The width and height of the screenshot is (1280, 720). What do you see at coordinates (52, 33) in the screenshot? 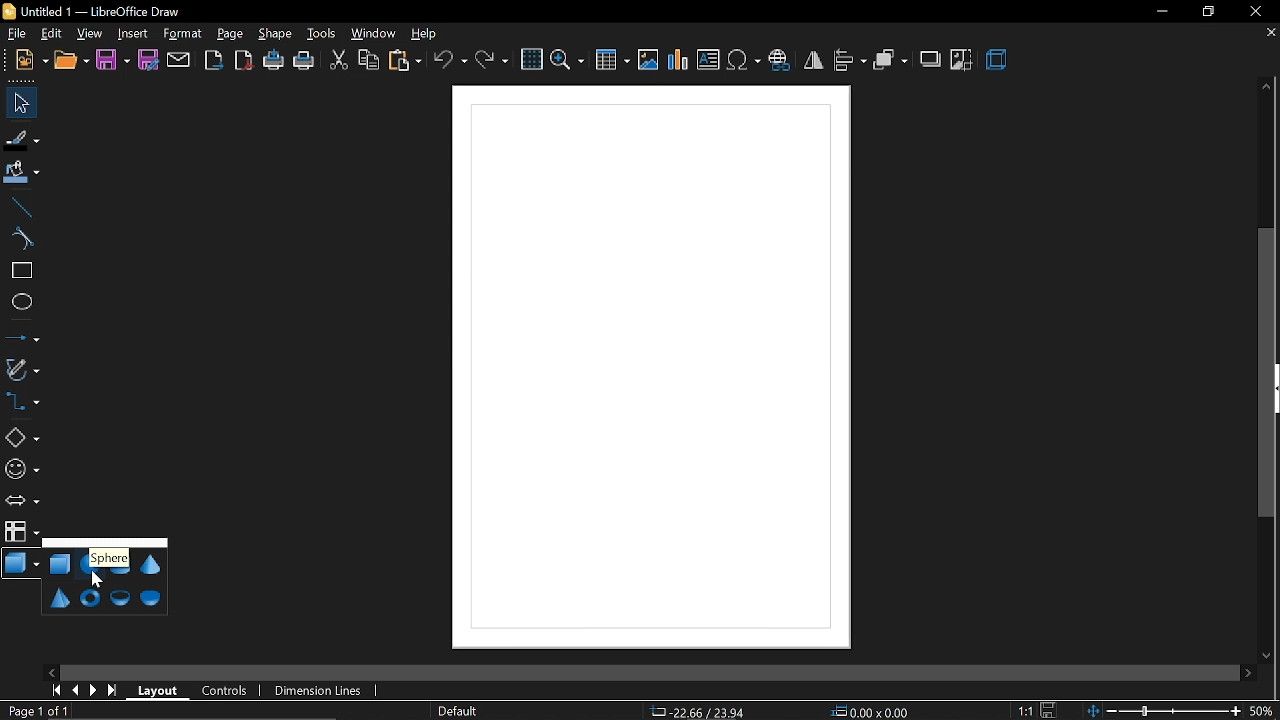
I see `edit` at bounding box center [52, 33].